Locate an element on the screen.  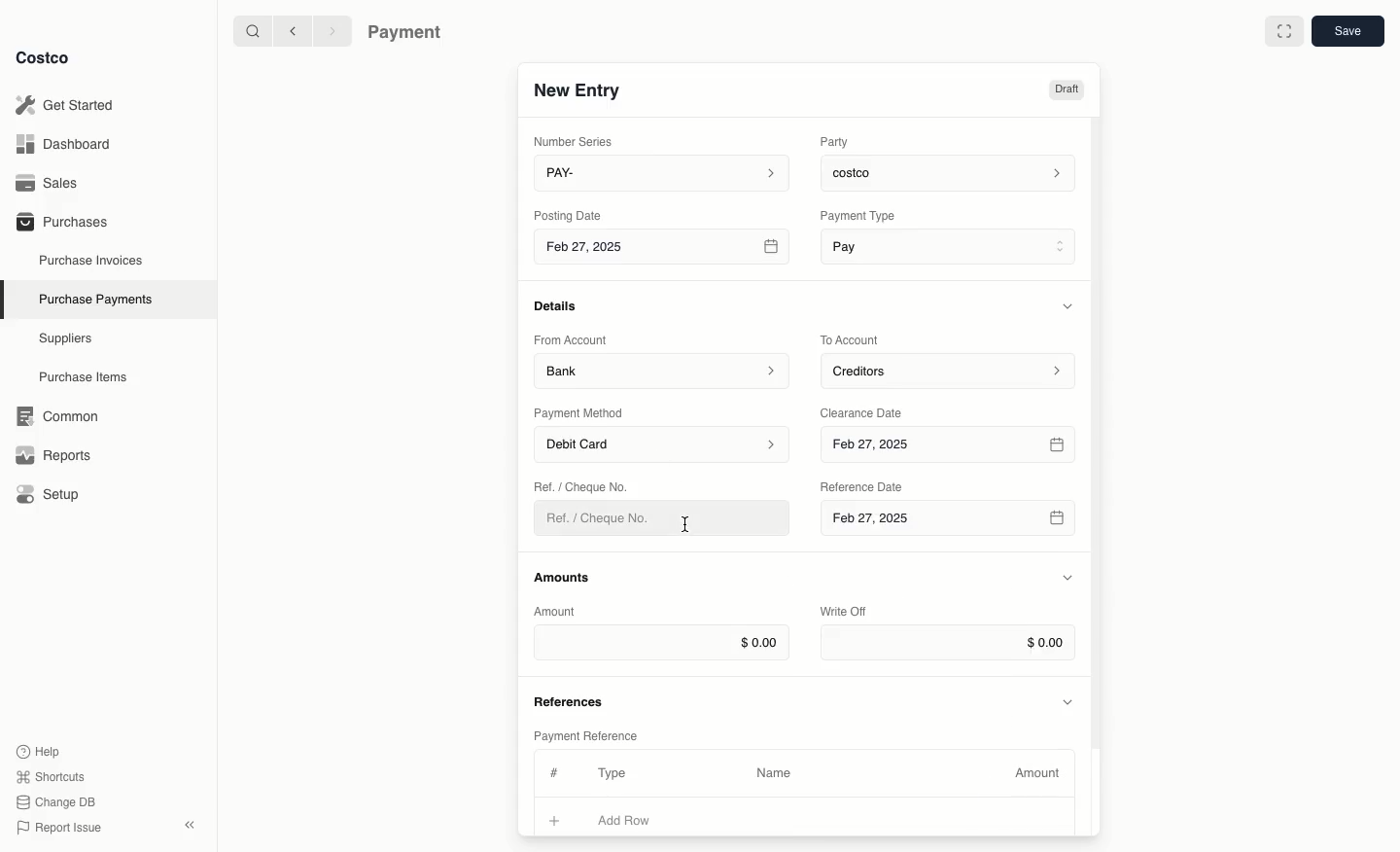
costco is located at coordinates (953, 170).